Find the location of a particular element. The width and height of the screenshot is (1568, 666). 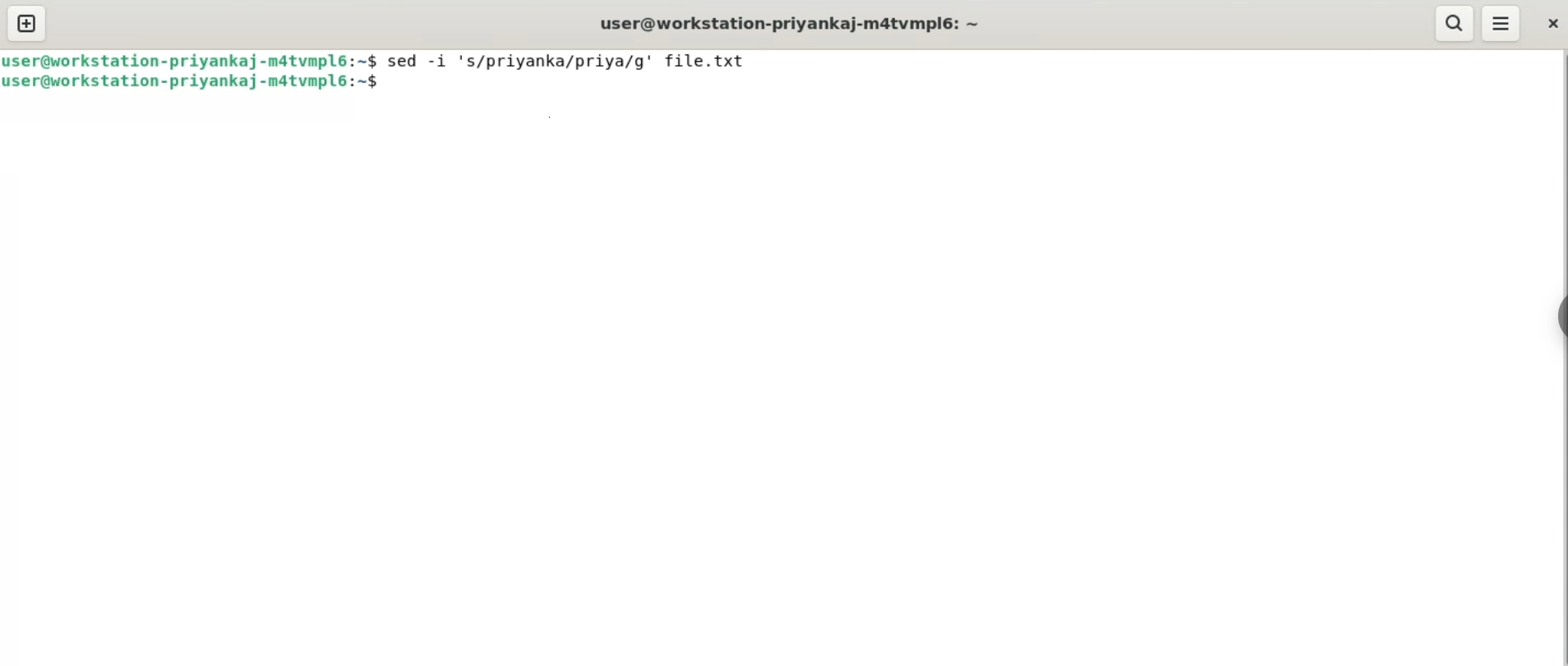

search is located at coordinates (1456, 23).